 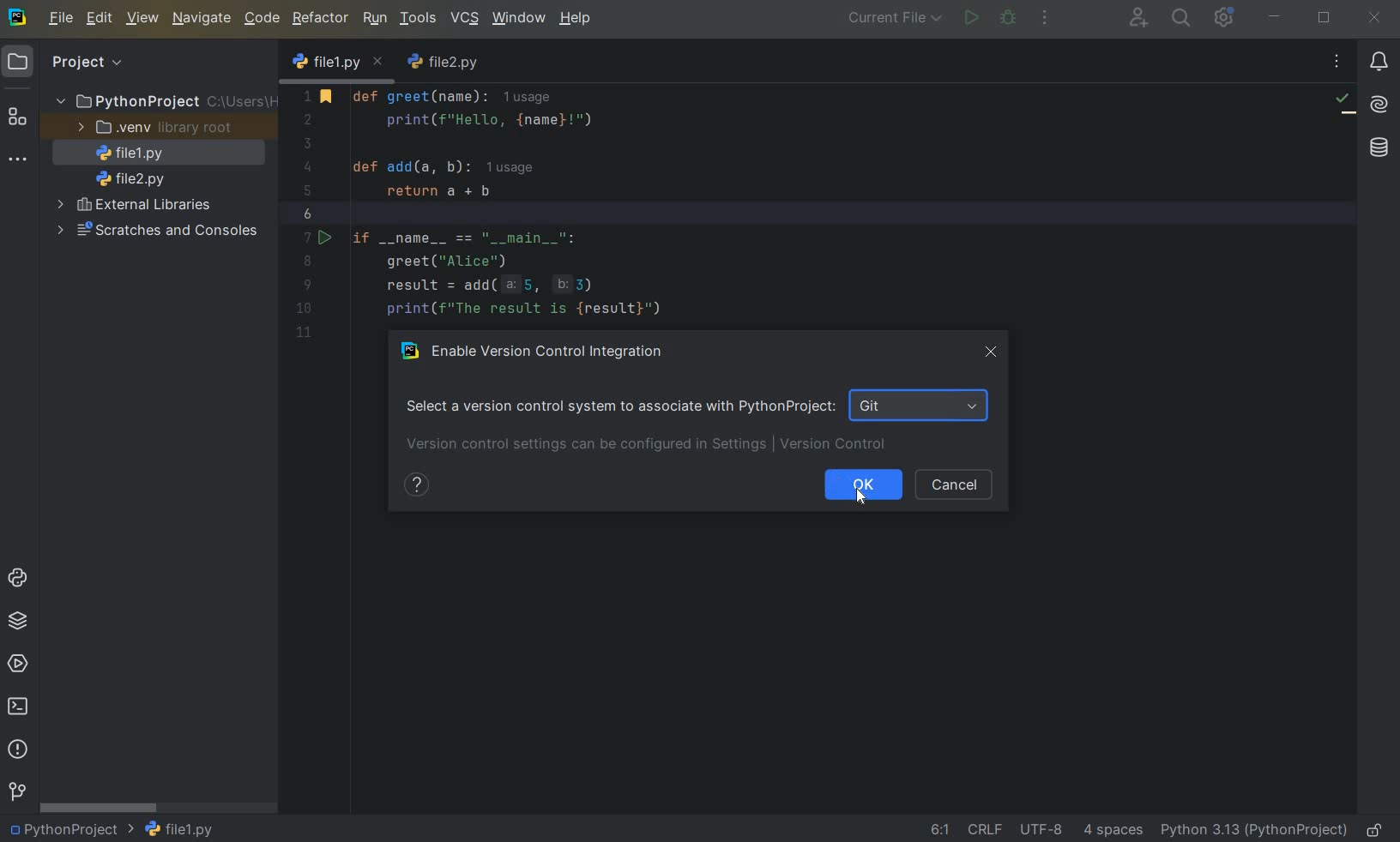 What do you see at coordinates (1115, 830) in the screenshot?
I see `indent` at bounding box center [1115, 830].